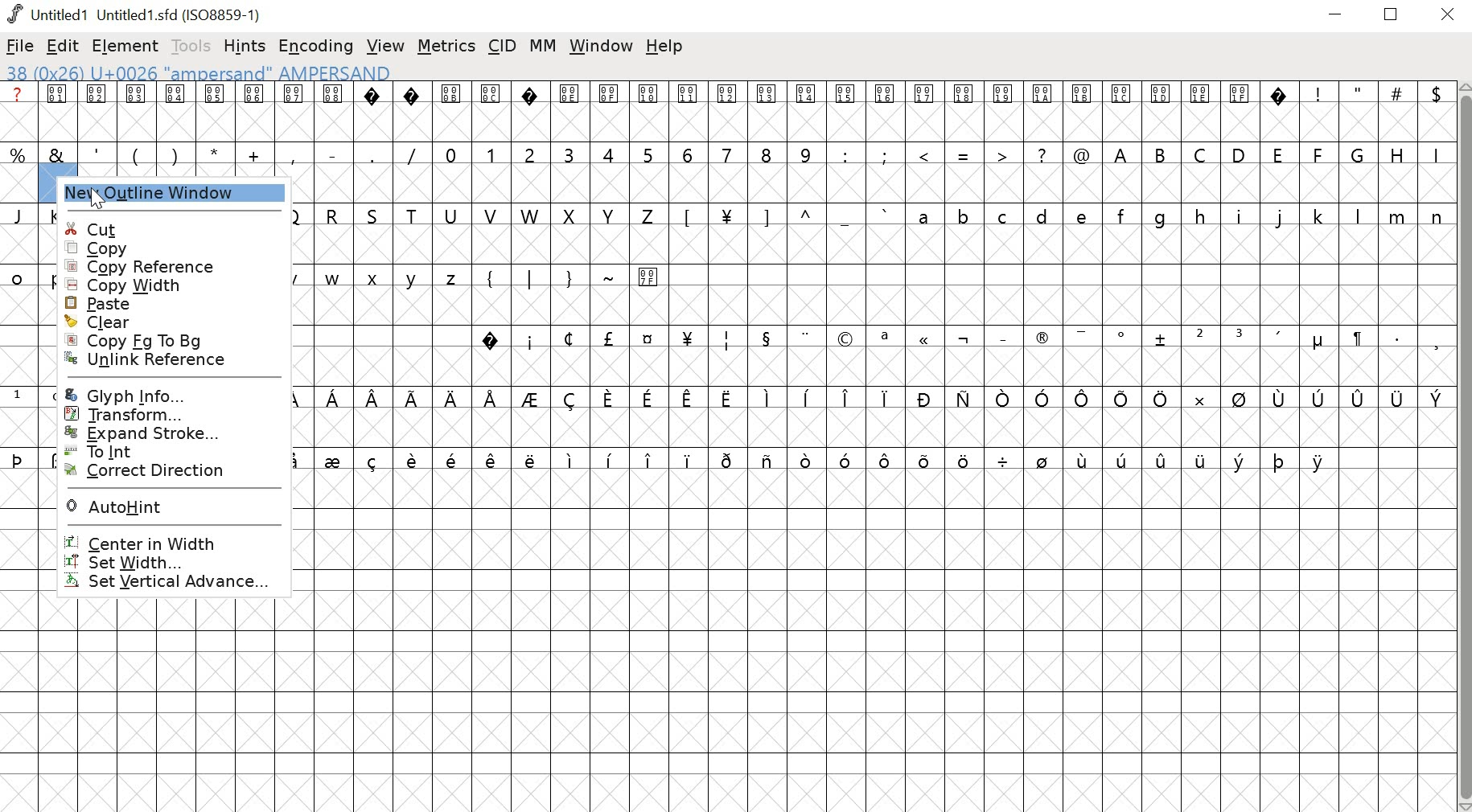 The image size is (1472, 812). I want to click on 0001, so click(60, 112).